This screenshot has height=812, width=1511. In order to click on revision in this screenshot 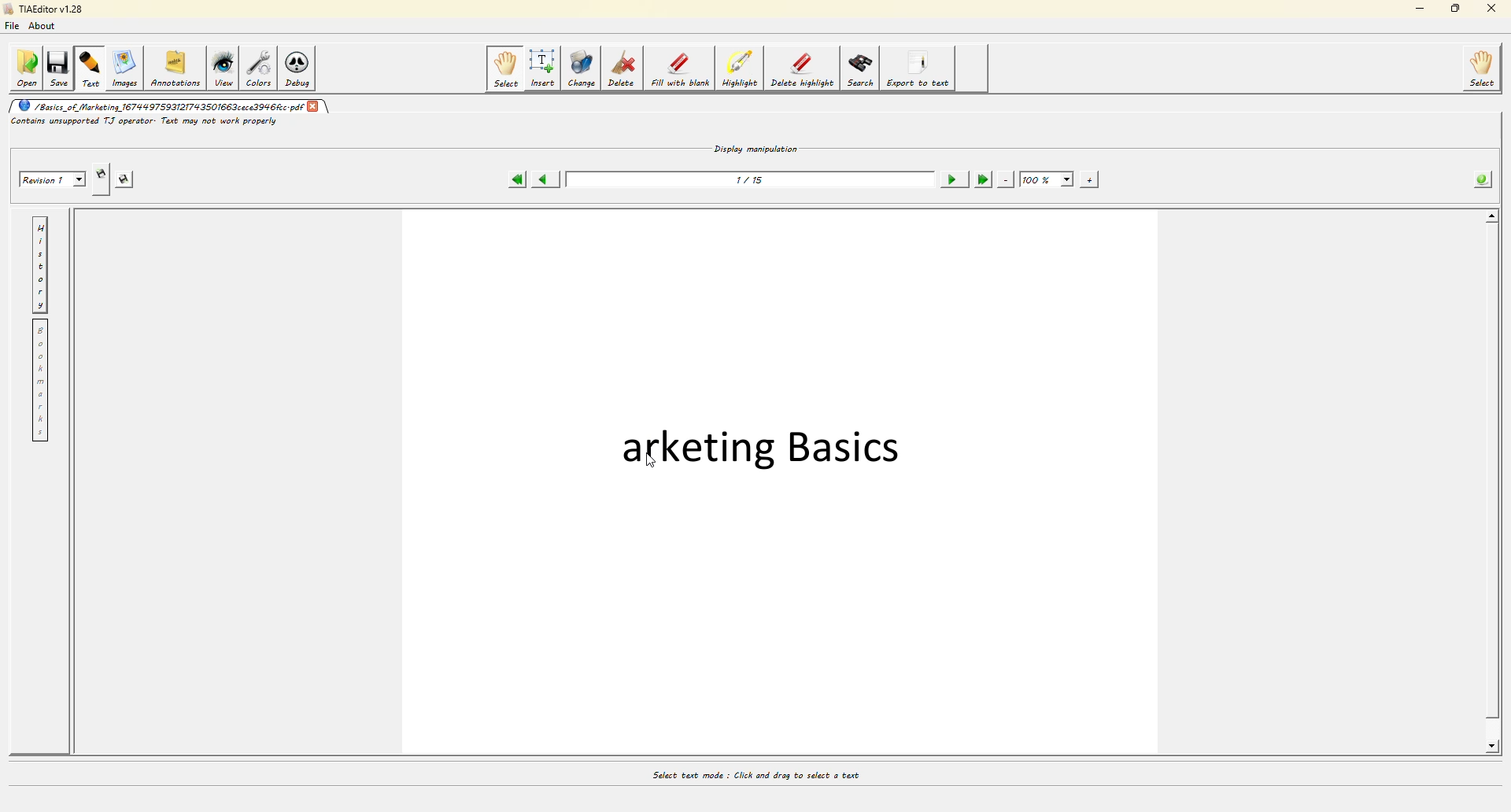, I will do `click(50, 179)`.